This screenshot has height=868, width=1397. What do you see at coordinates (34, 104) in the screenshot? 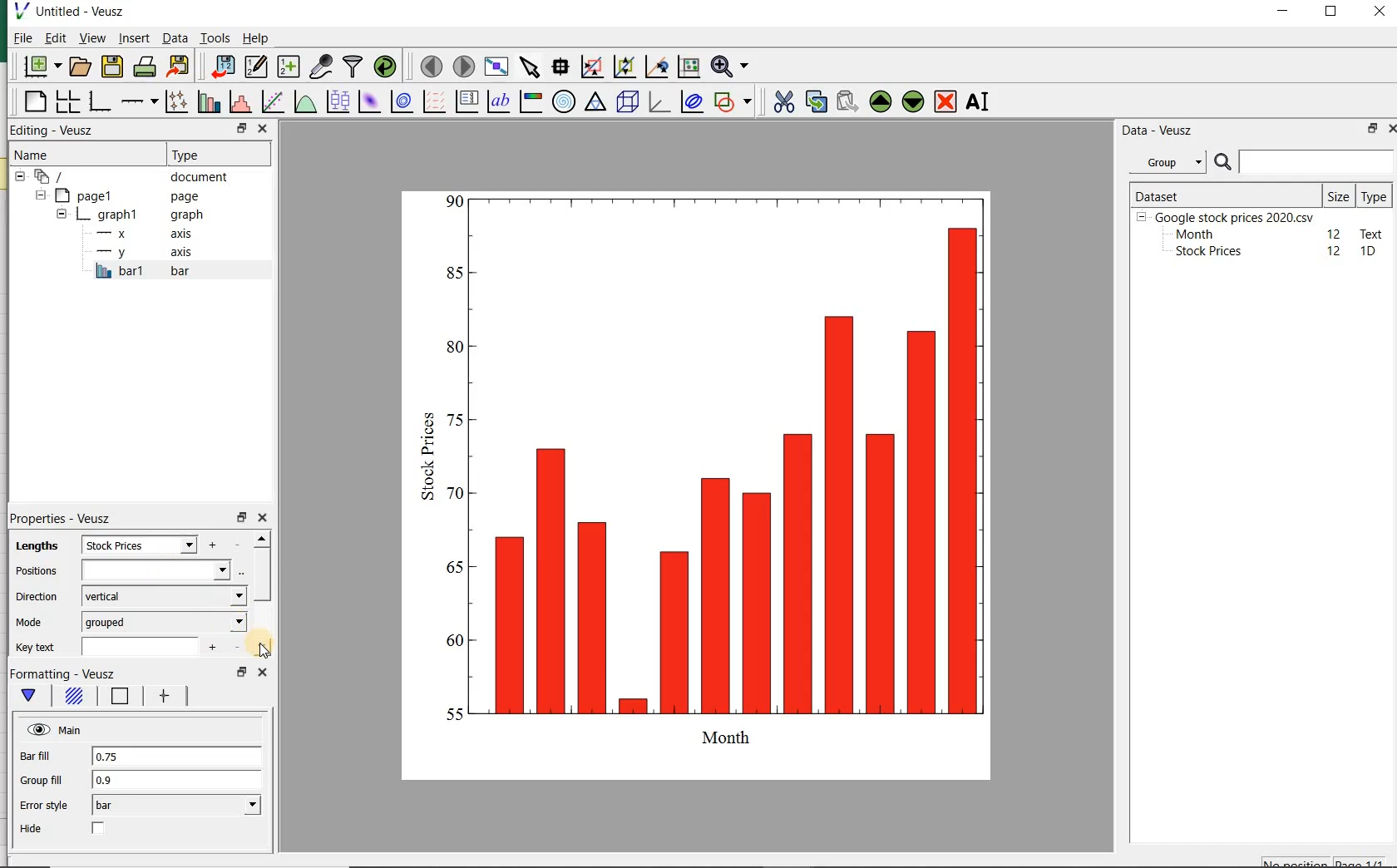
I see `blank page` at bounding box center [34, 104].